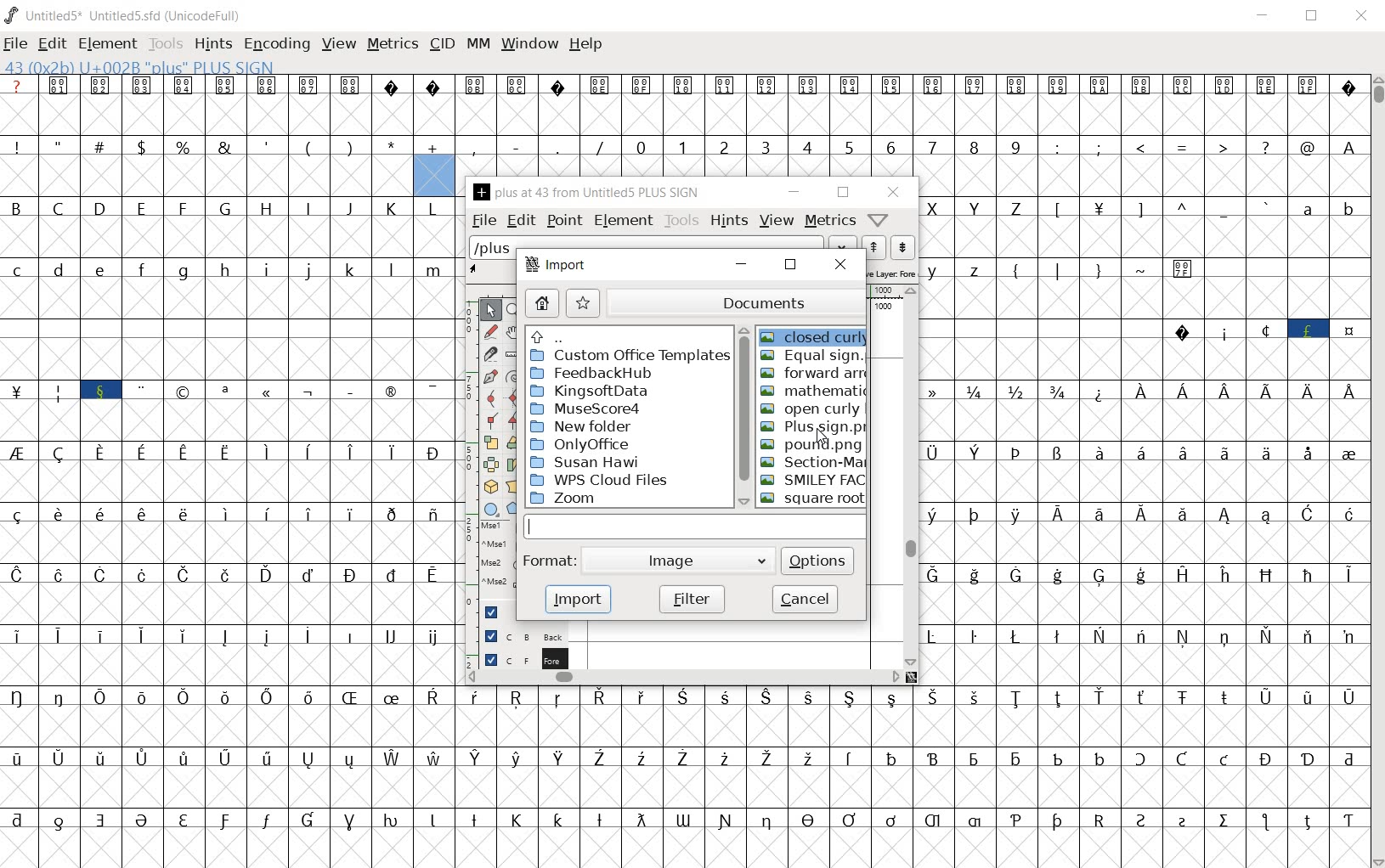 The width and height of the screenshot is (1385, 868). Describe the element at coordinates (142, 67) in the screenshot. I see `43 (0X2B) u+002b "plus" PLUS SIGN` at that location.